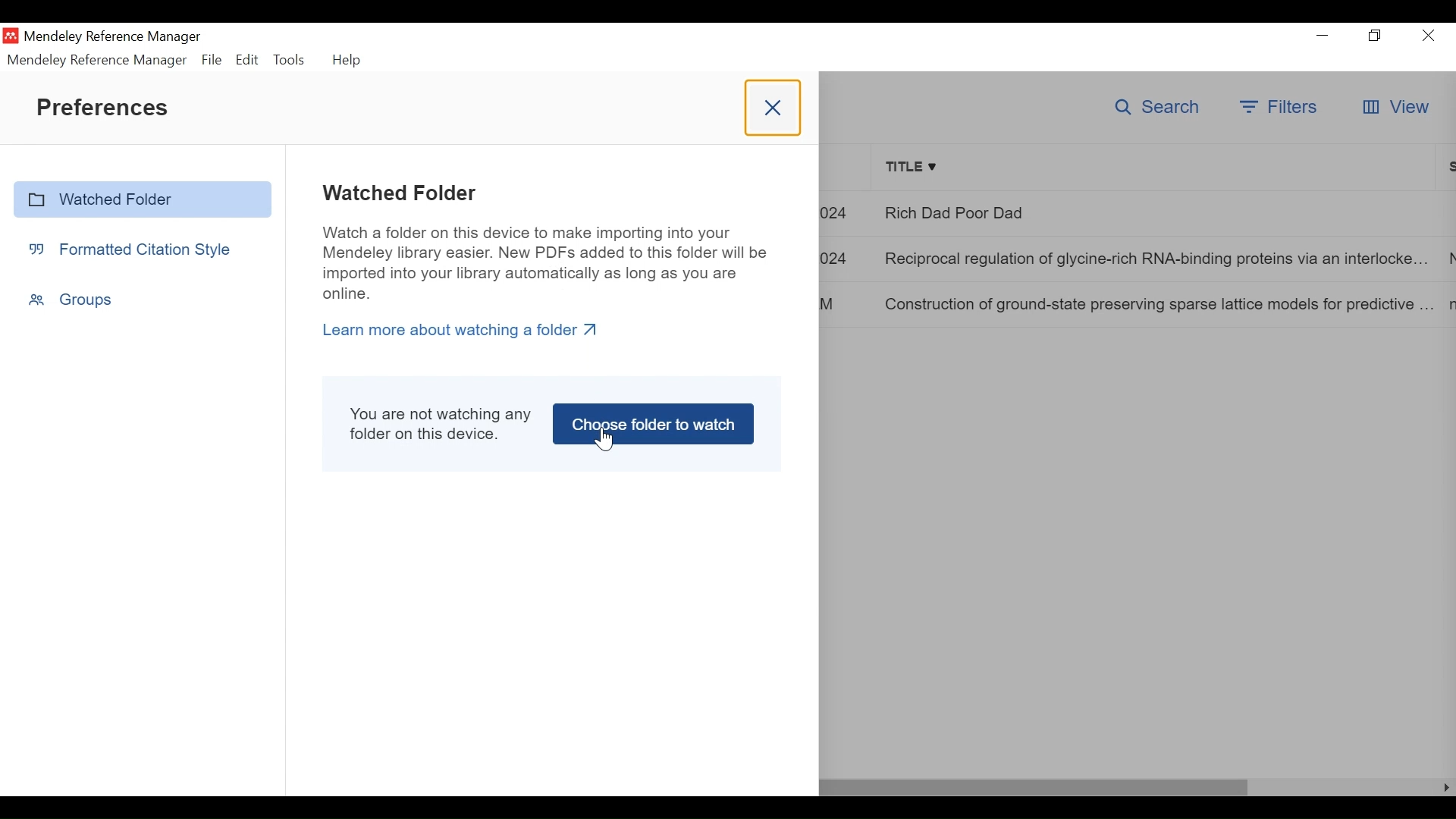  What do you see at coordinates (1034, 787) in the screenshot?
I see `Horizontal Scroll bar` at bounding box center [1034, 787].